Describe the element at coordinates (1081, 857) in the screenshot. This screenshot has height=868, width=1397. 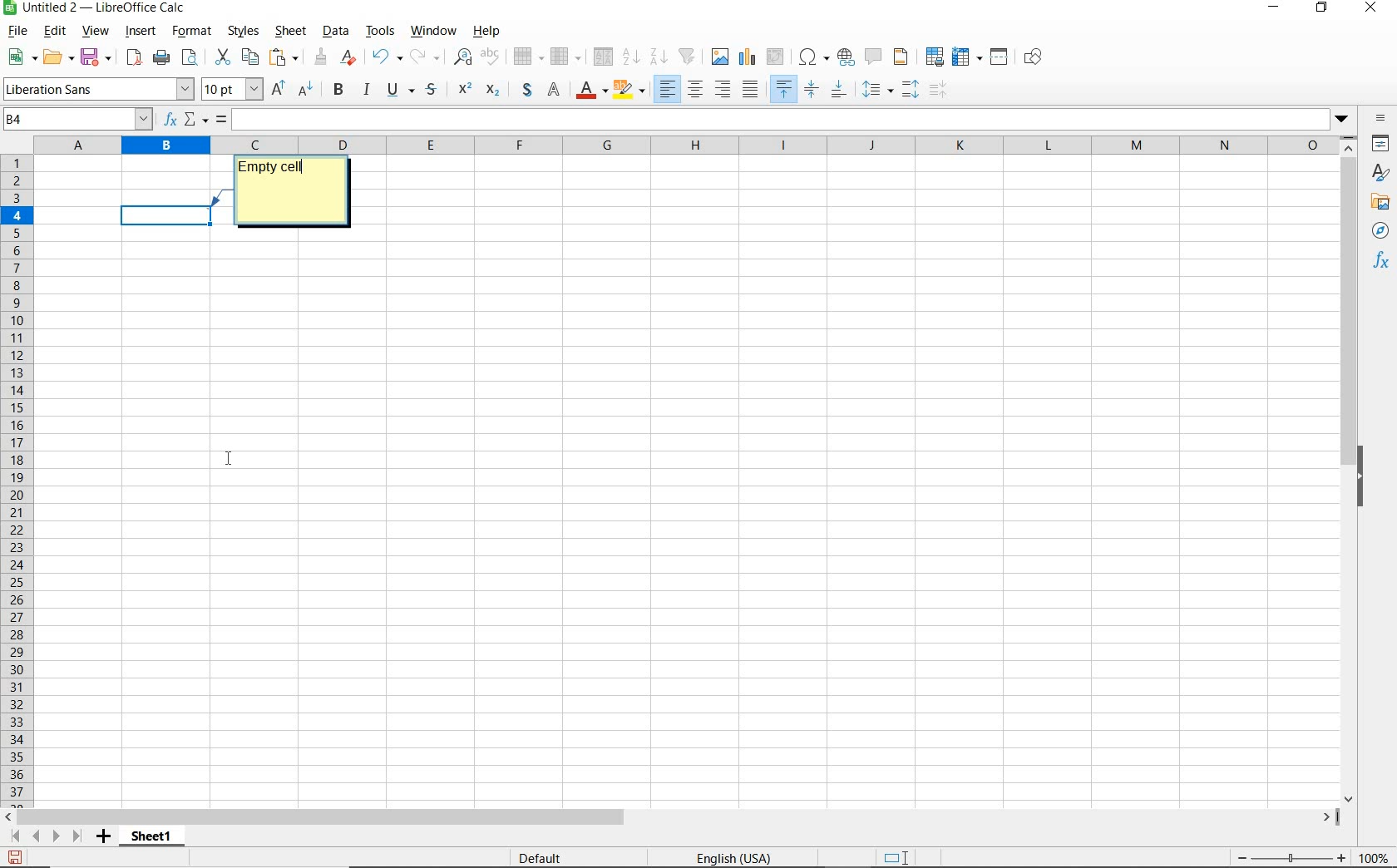
I see `Average:; Sum:0` at that location.